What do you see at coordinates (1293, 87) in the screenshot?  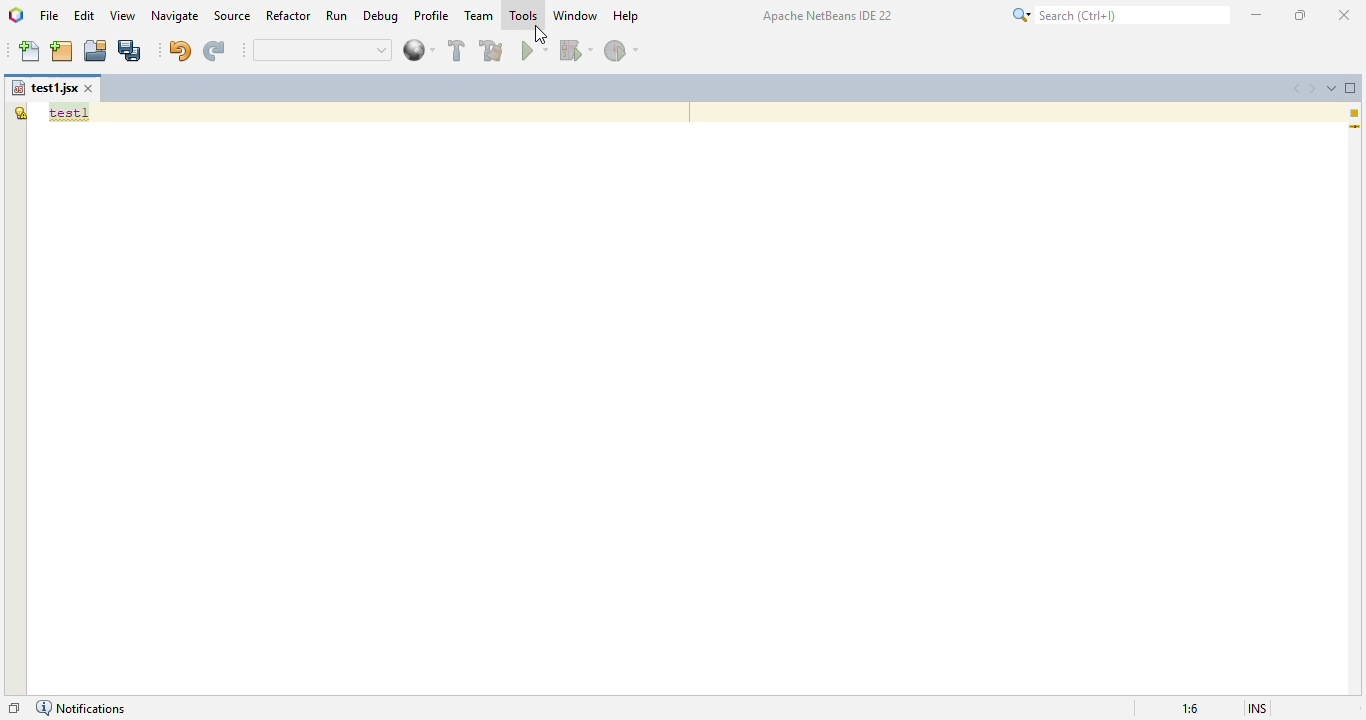 I see `scroll documents left` at bounding box center [1293, 87].